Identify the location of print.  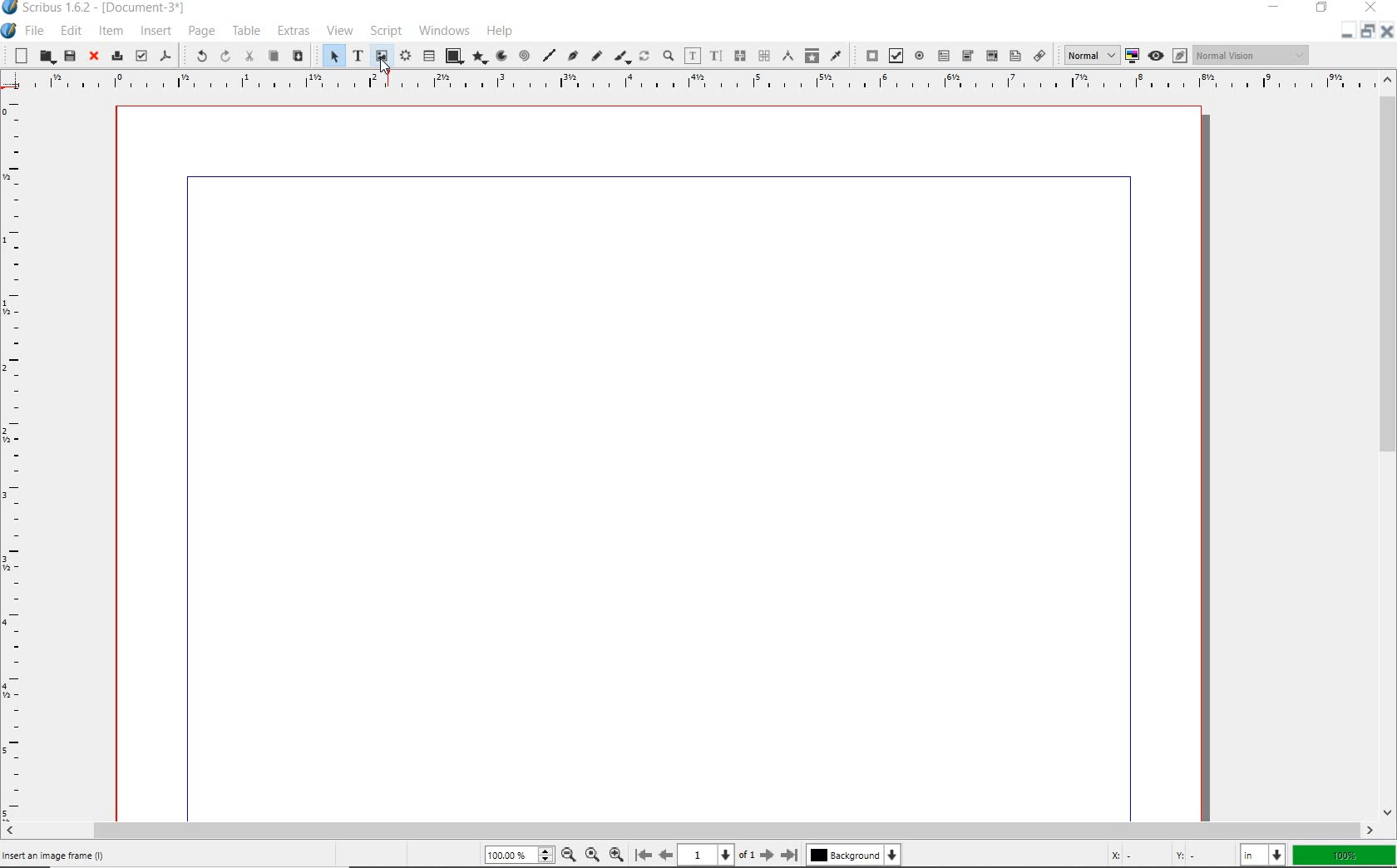
(118, 56).